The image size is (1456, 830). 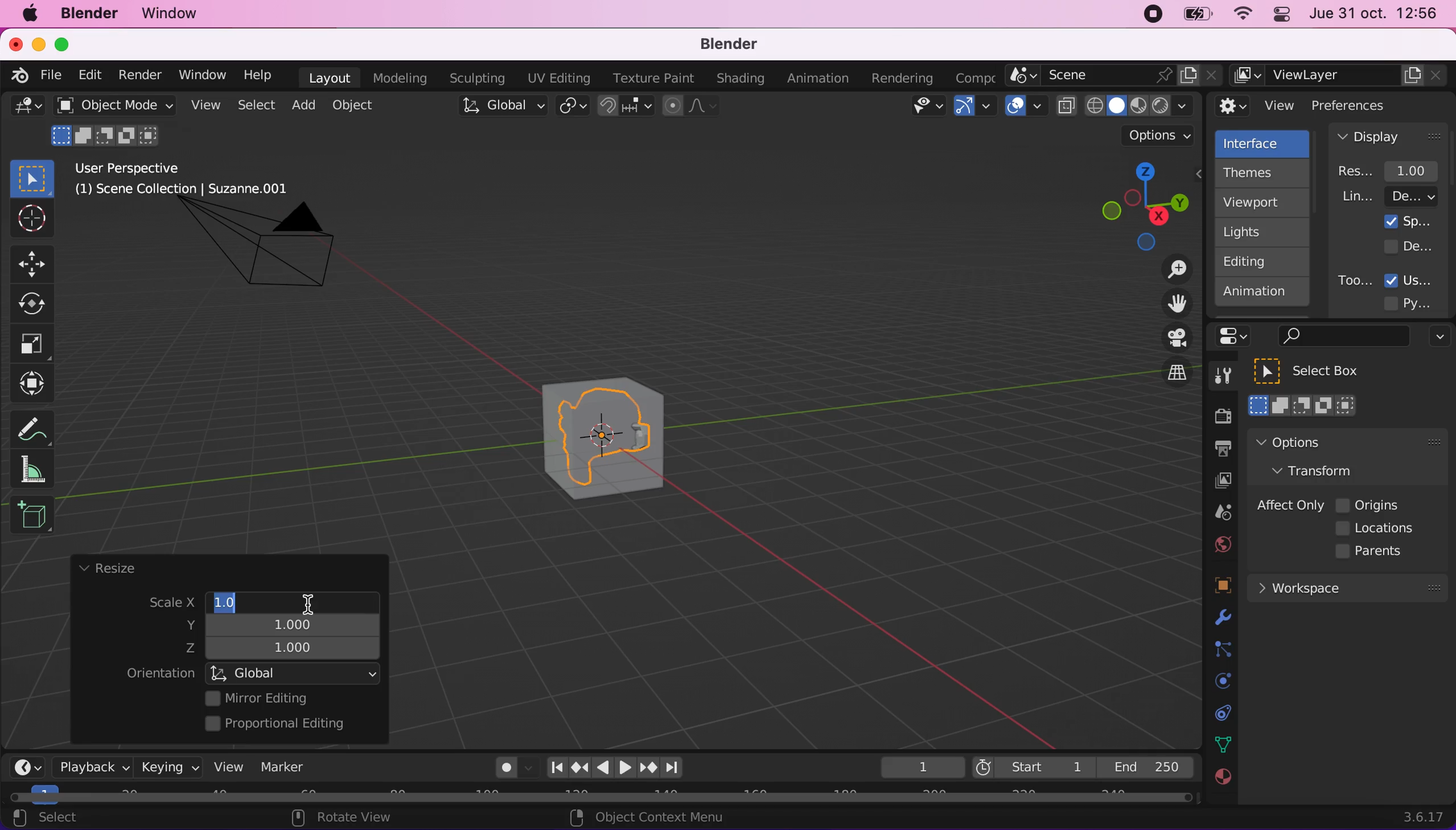 What do you see at coordinates (1114, 76) in the screenshot?
I see `scene` at bounding box center [1114, 76].